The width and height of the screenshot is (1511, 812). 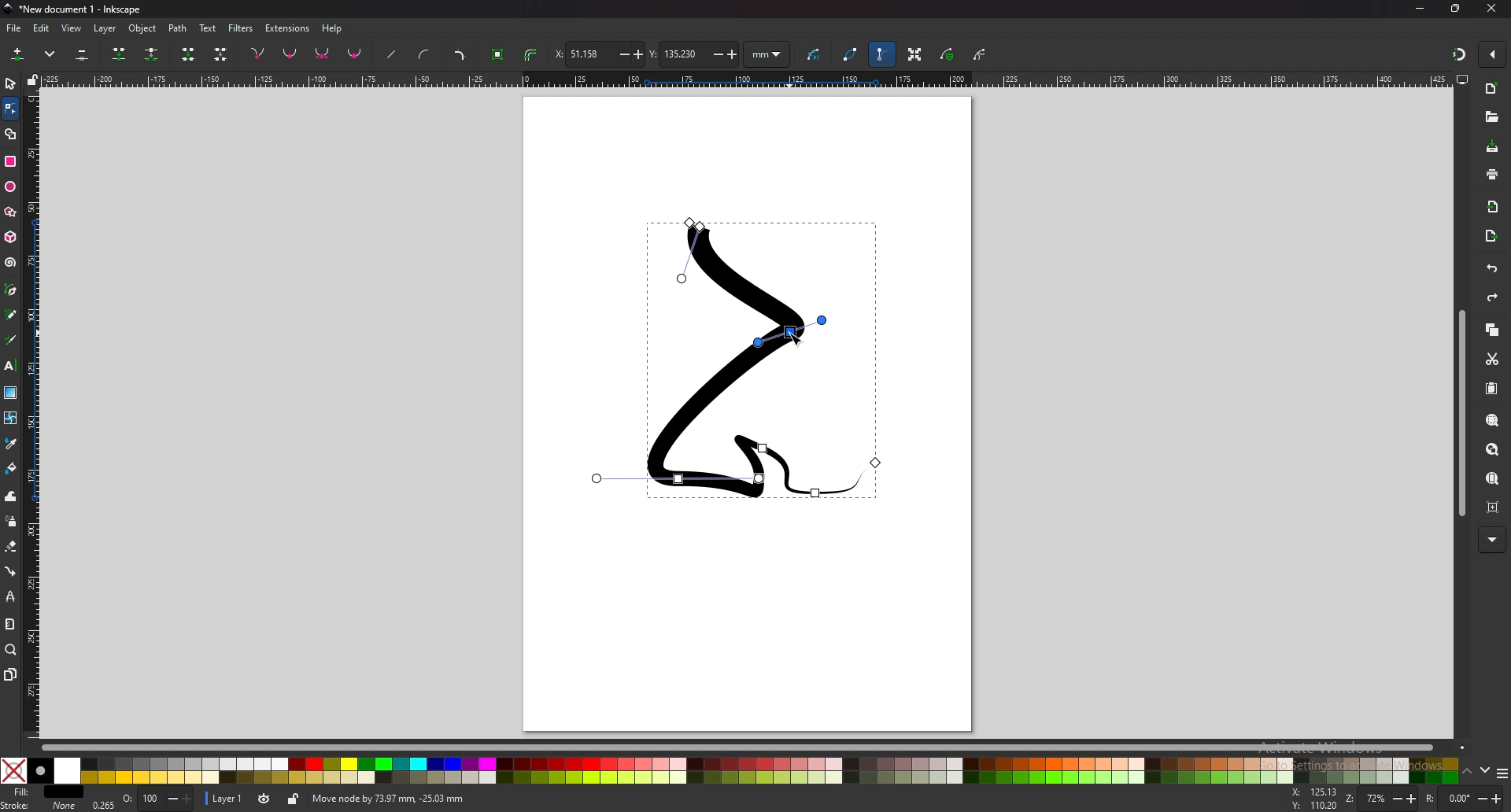 I want to click on cut, so click(x=1491, y=359).